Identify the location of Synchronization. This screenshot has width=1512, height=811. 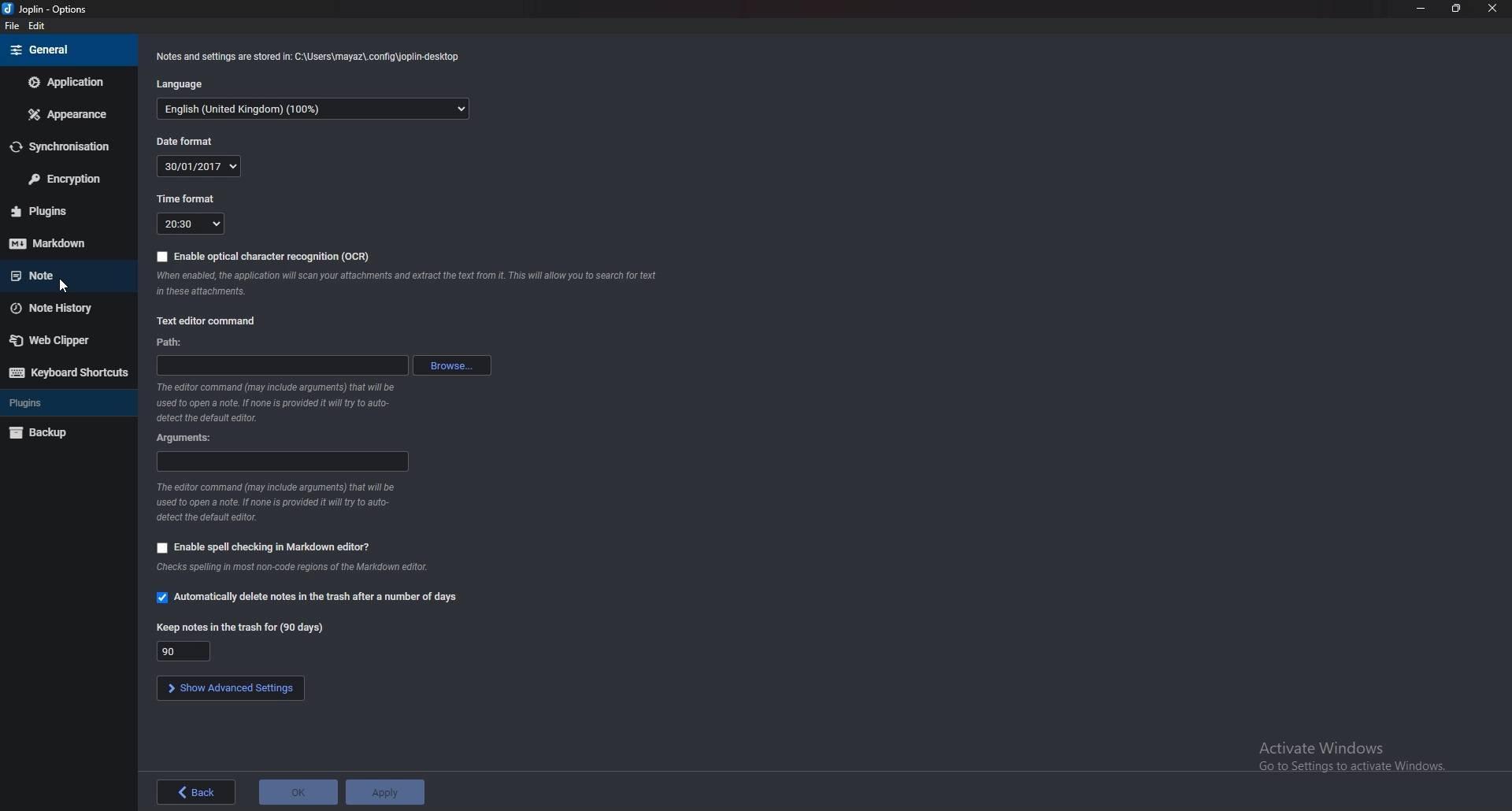
(64, 147).